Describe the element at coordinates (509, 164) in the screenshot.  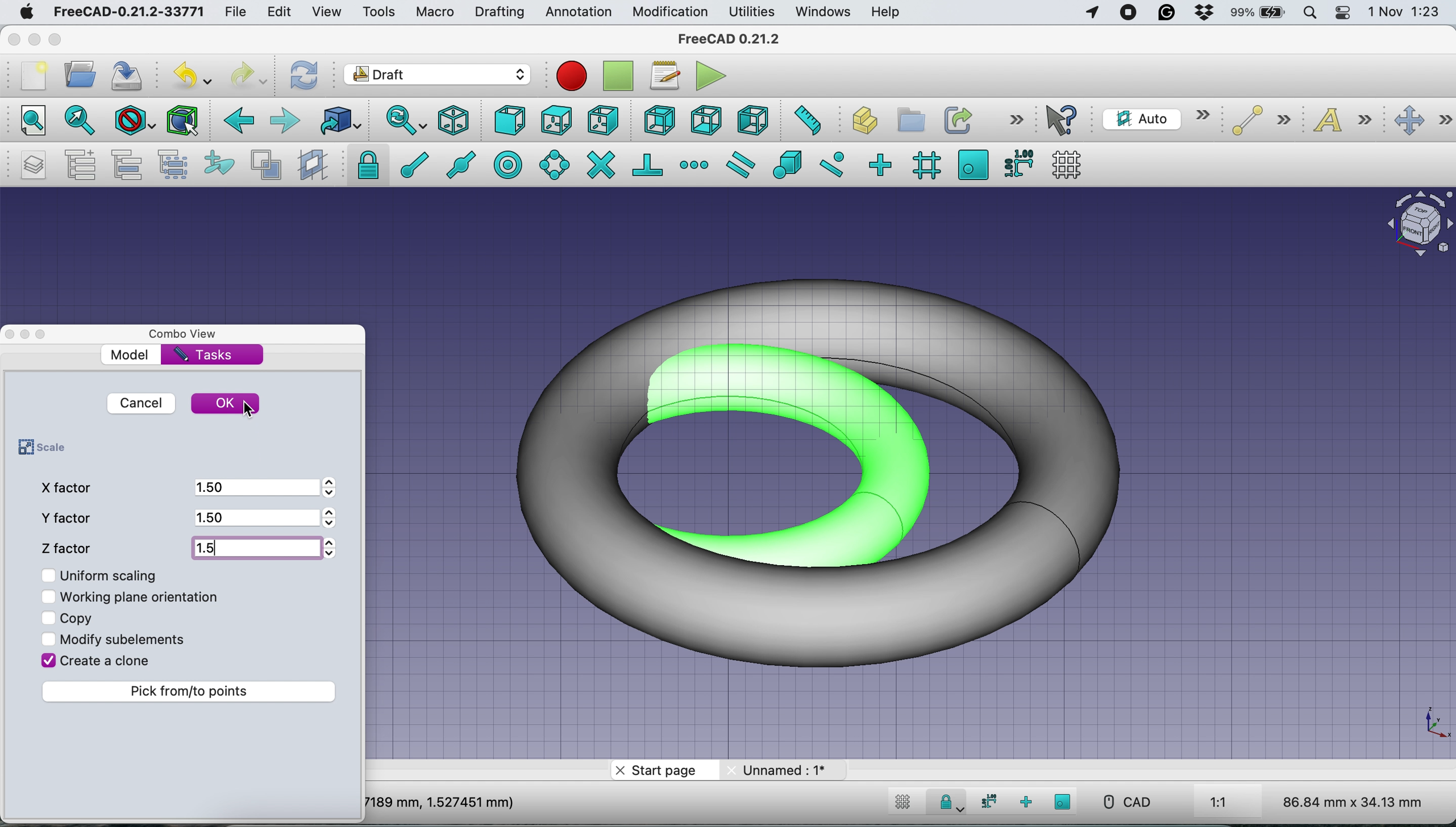
I see `snap center` at that location.